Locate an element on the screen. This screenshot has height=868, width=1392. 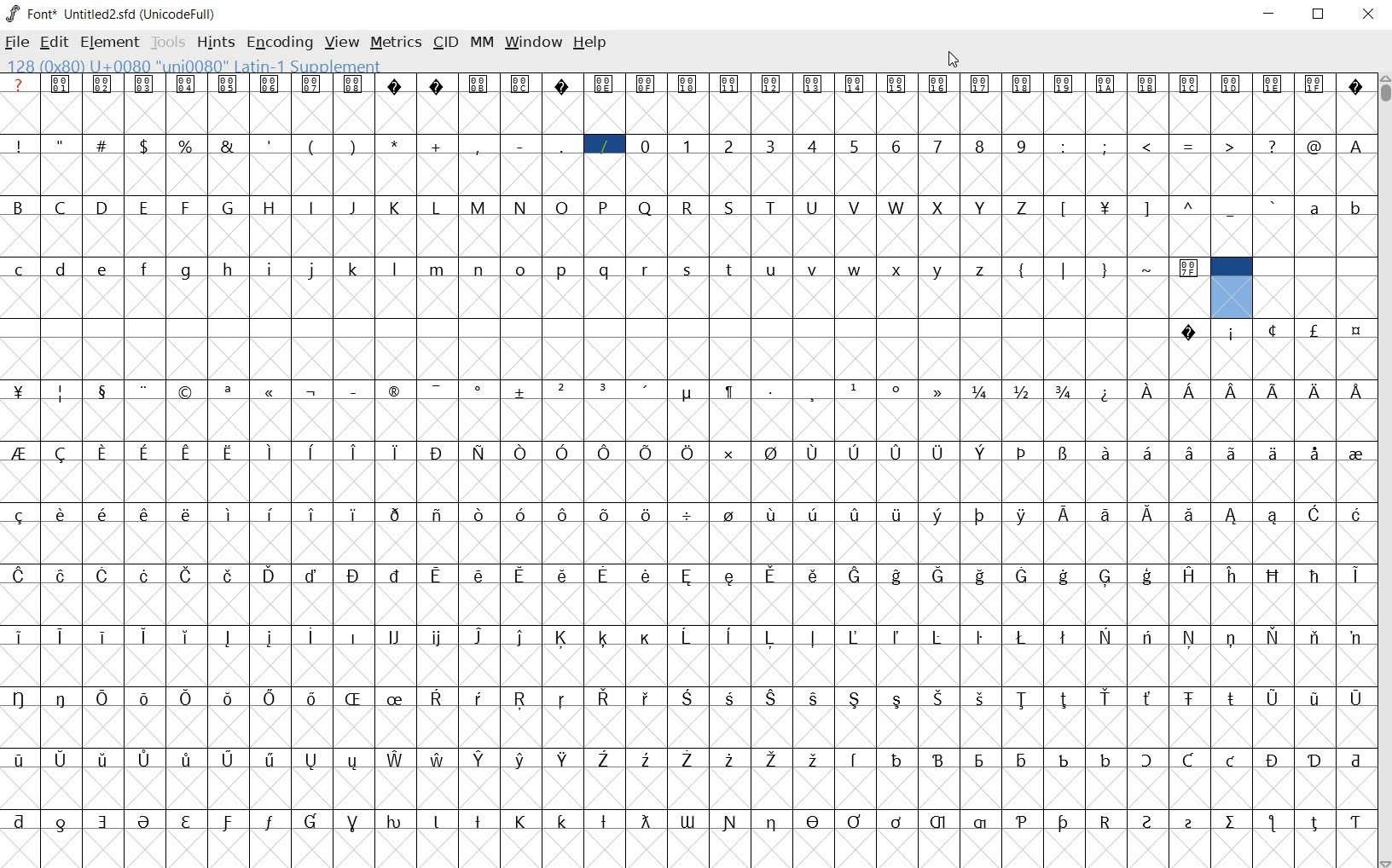
Symbol is located at coordinates (647, 513).